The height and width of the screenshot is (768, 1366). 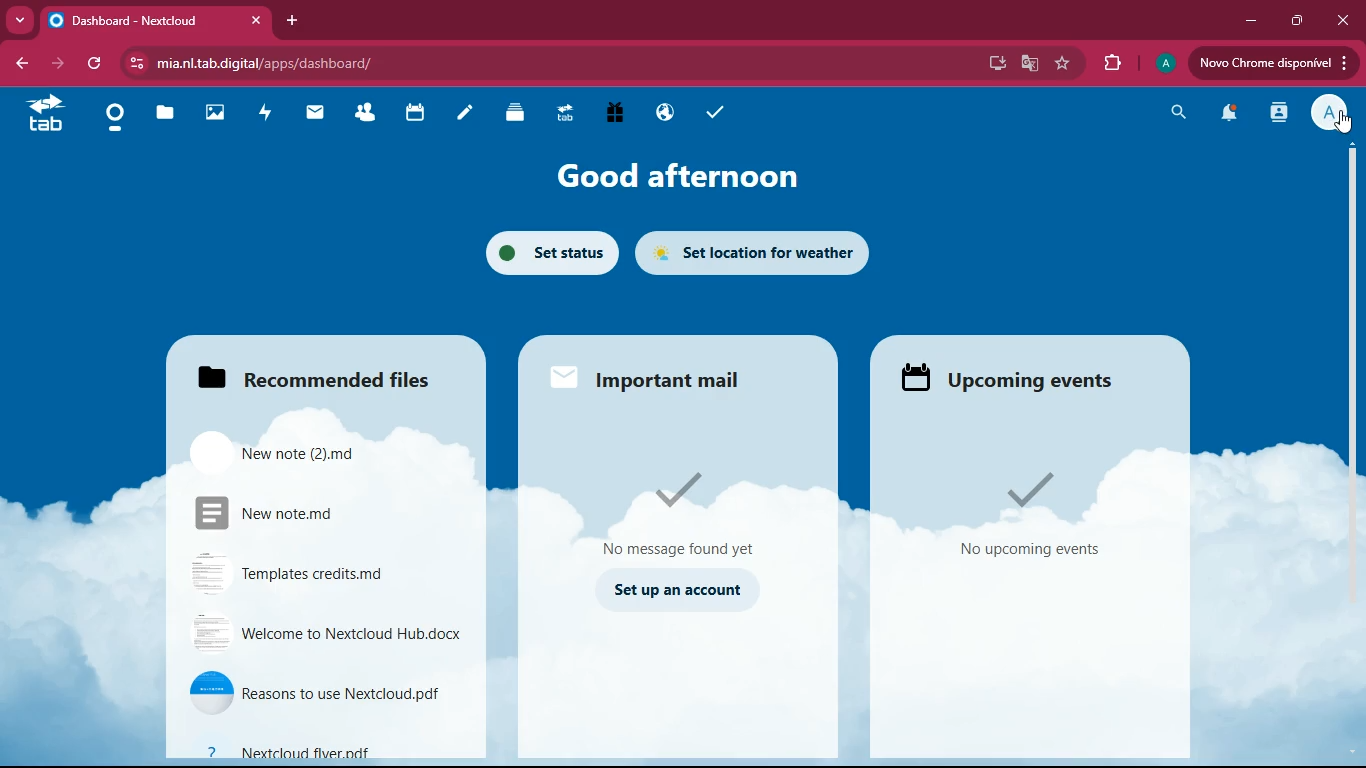 I want to click on extension, so click(x=1107, y=64).